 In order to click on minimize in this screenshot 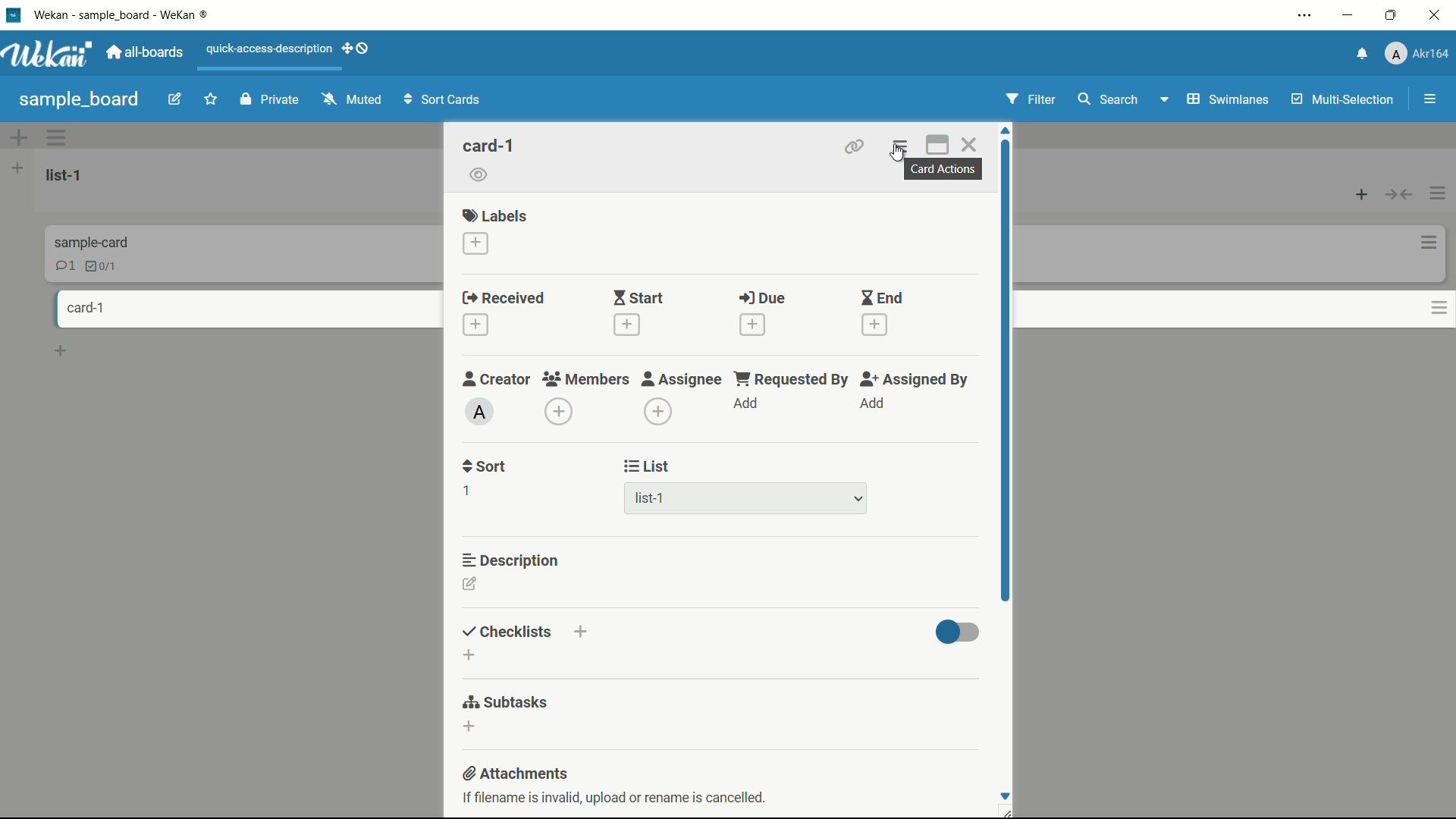, I will do `click(1348, 16)`.